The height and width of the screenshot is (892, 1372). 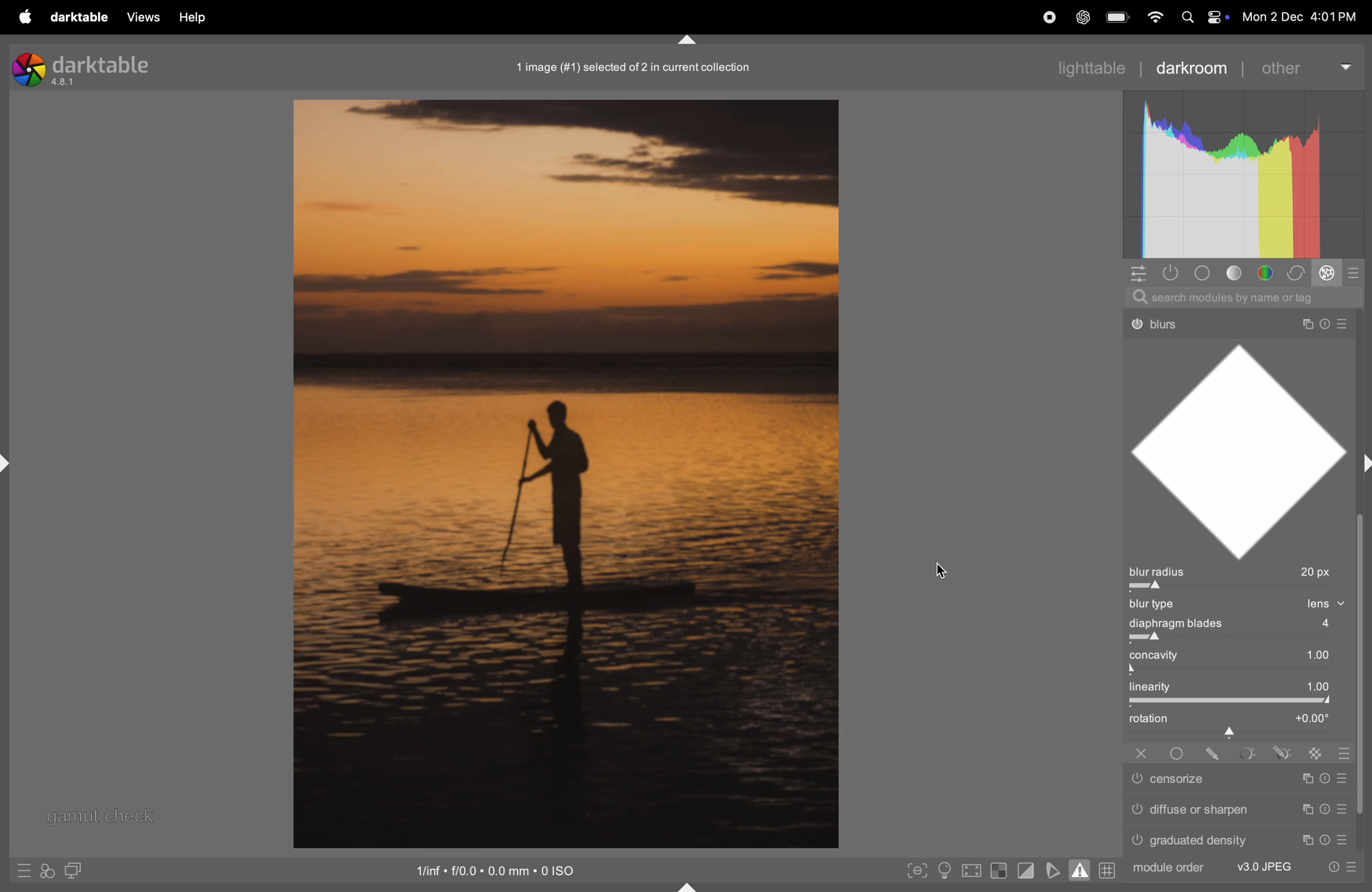 What do you see at coordinates (1243, 671) in the screenshot?
I see `toggle bar` at bounding box center [1243, 671].